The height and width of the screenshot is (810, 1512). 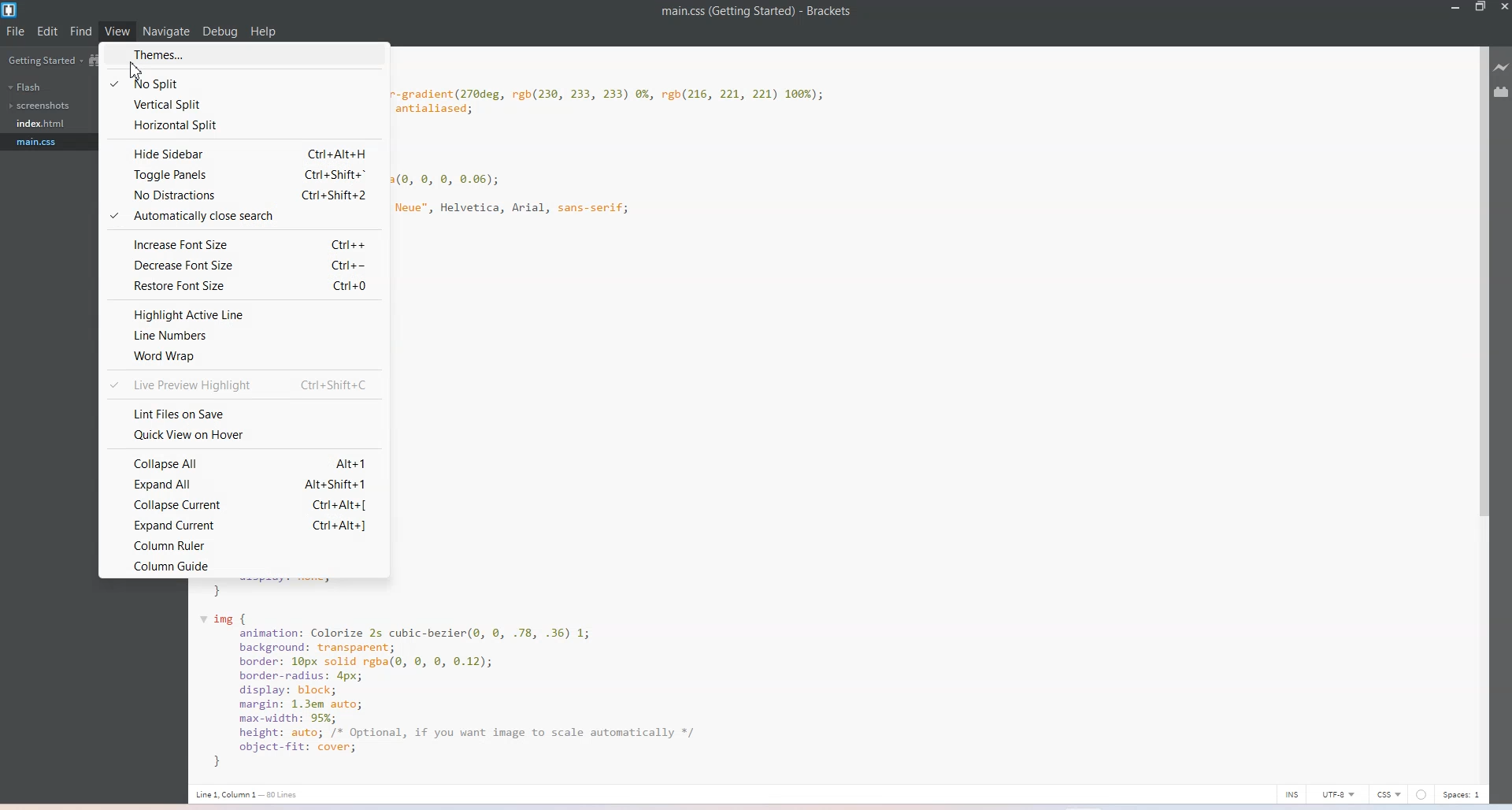 What do you see at coordinates (244, 434) in the screenshot?
I see `Quick view one Hover` at bounding box center [244, 434].